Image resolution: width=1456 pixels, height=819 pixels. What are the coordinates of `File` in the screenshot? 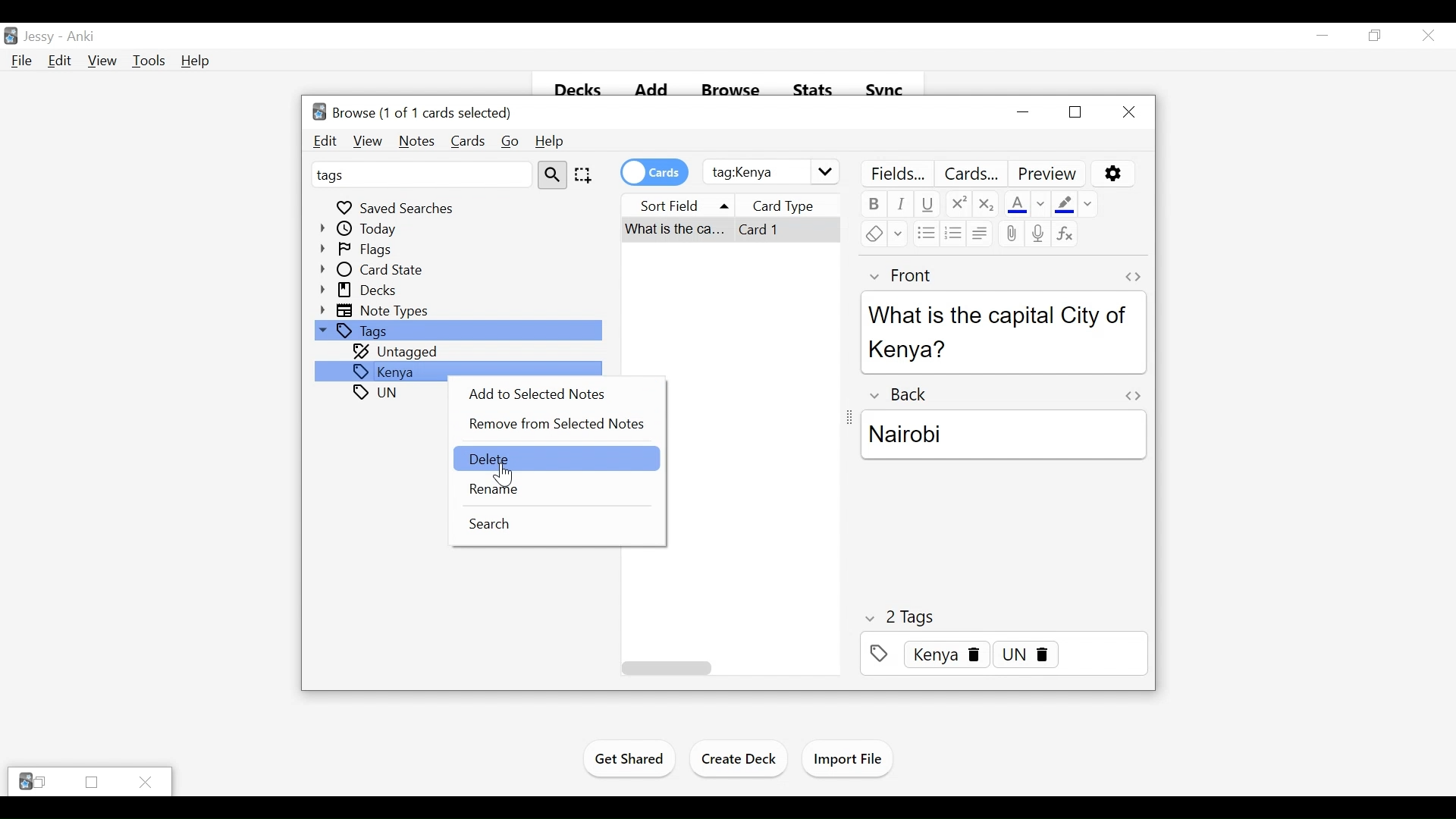 It's located at (19, 61).